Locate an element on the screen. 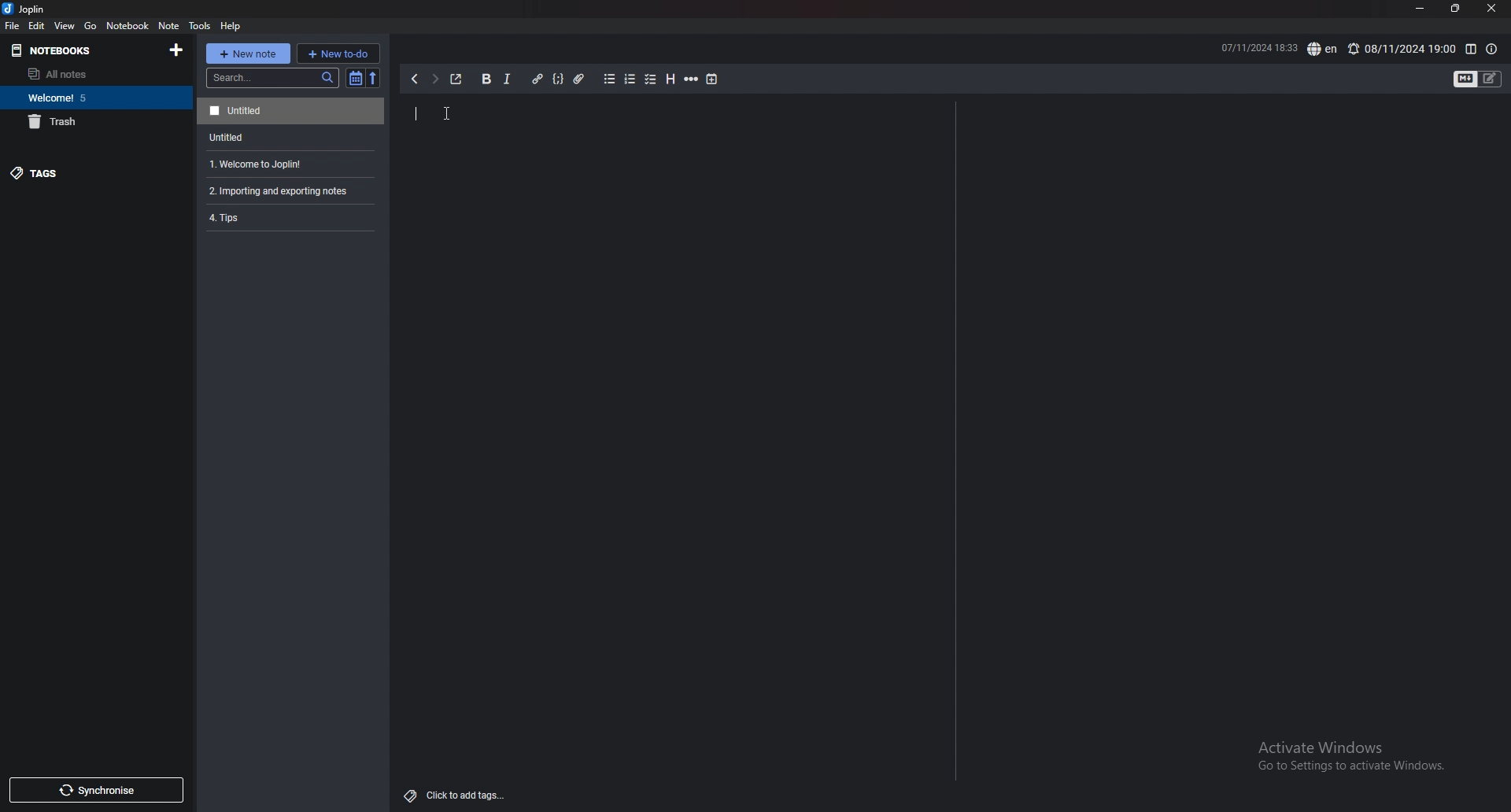 This screenshot has width=1511, height=812. 4.Tips. is located at coordinates (289, 217).